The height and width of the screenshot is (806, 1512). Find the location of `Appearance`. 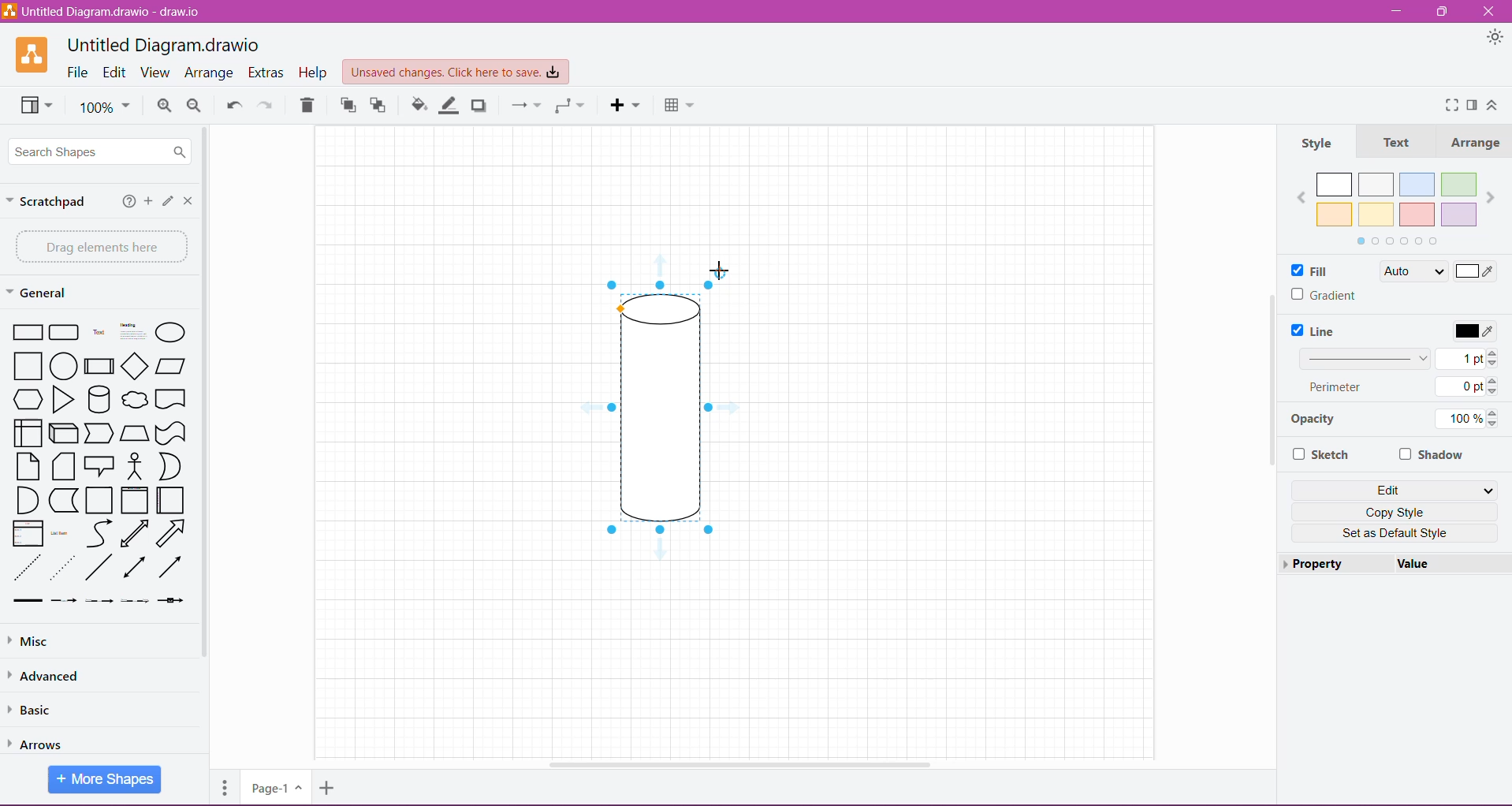

Appearance is located at coordinates (1492, 37).